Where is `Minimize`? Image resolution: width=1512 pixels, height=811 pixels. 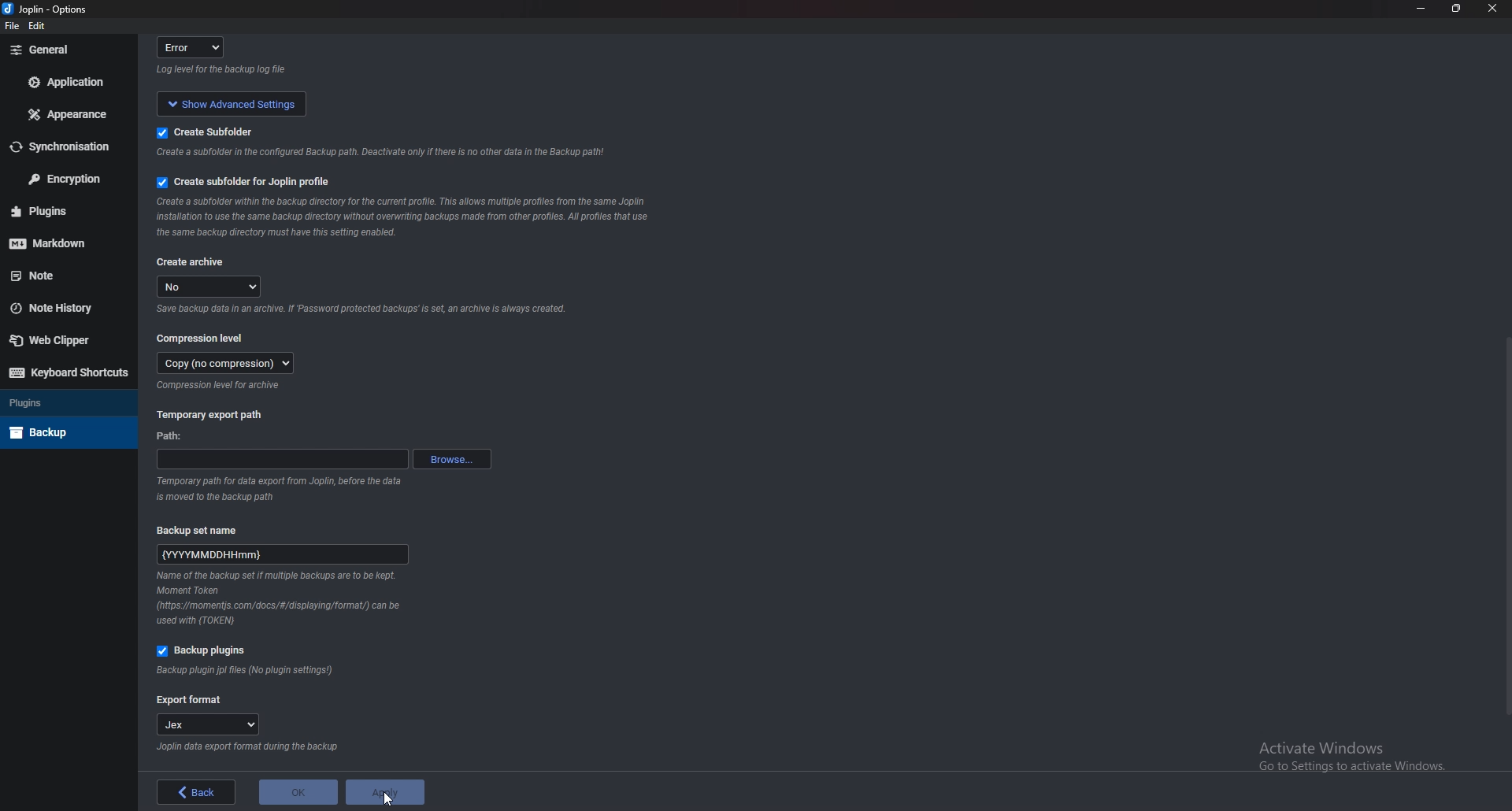
Minimize is located at coordinates (1423, 8).